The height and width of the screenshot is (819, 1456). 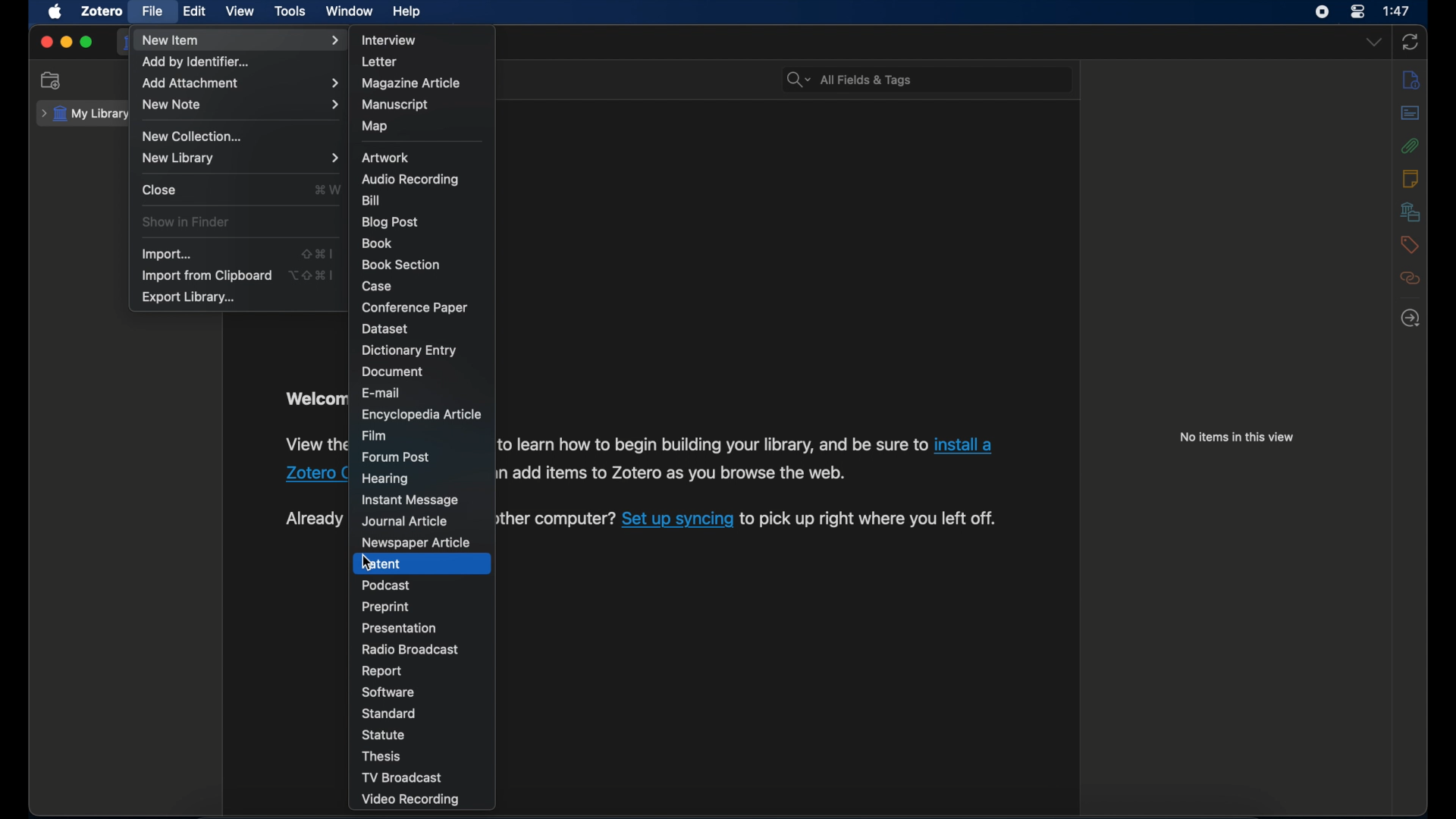 What do you see at coordinates (415, 543) in the screenshot?
I see `newspaper article` at bounding box center [415, 543].